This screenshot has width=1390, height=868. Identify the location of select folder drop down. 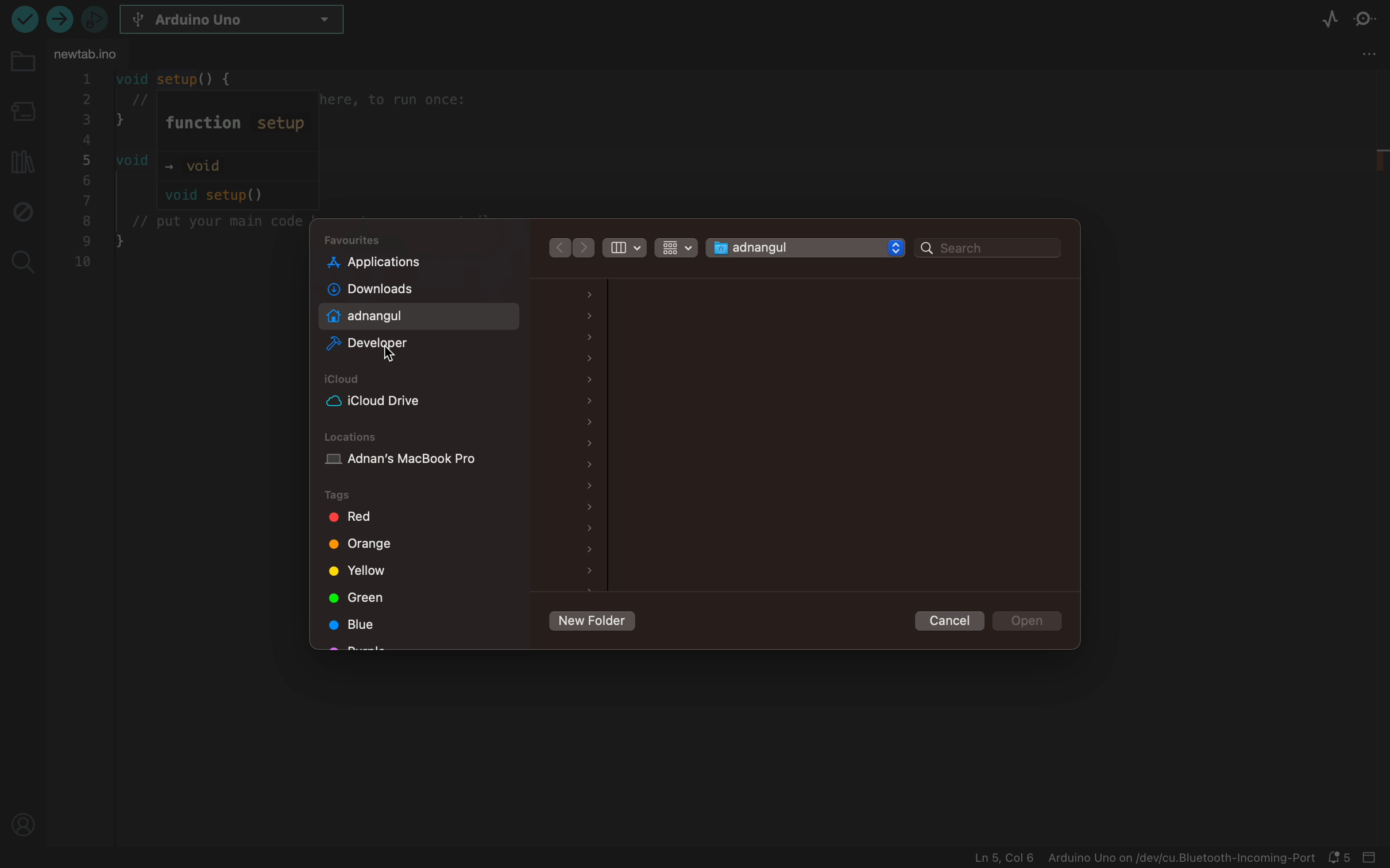
(896, 247).